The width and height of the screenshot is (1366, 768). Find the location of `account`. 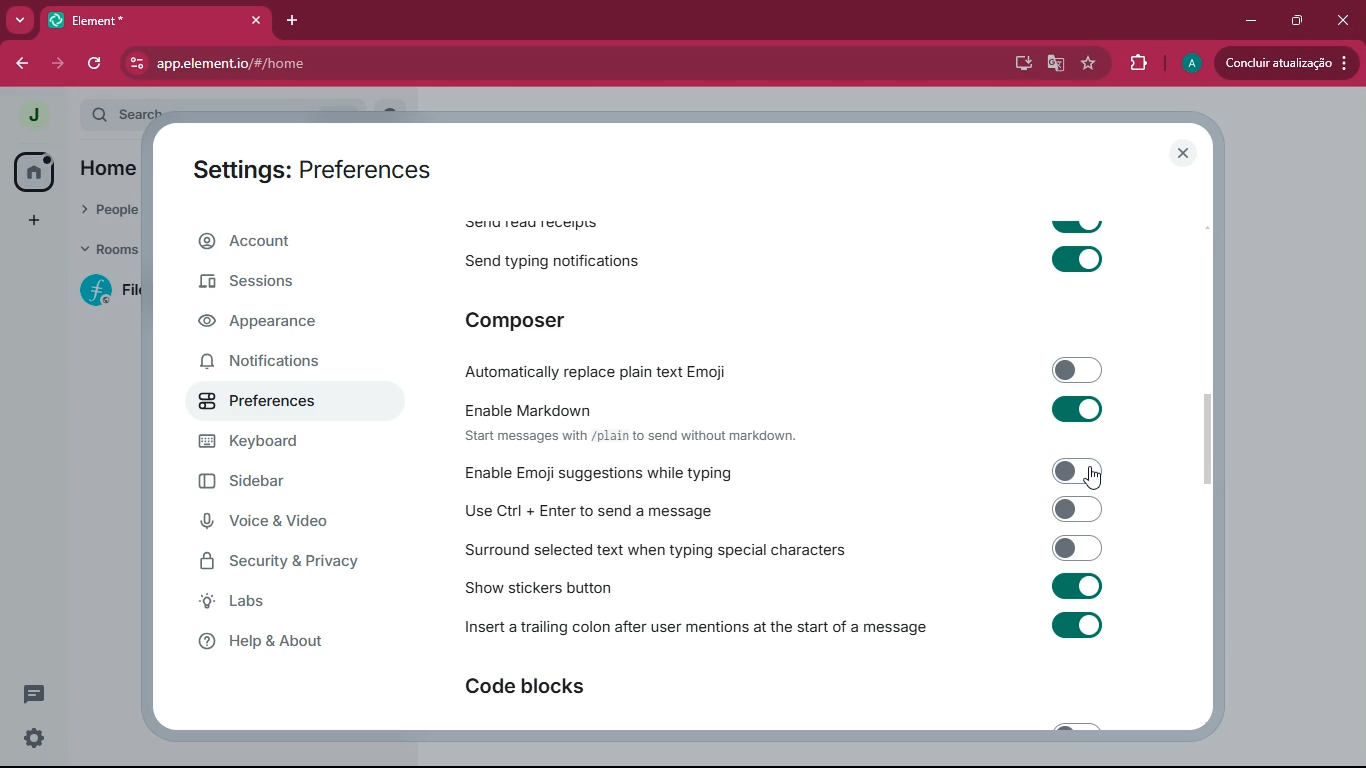

account is located at coordinates (284, 244).